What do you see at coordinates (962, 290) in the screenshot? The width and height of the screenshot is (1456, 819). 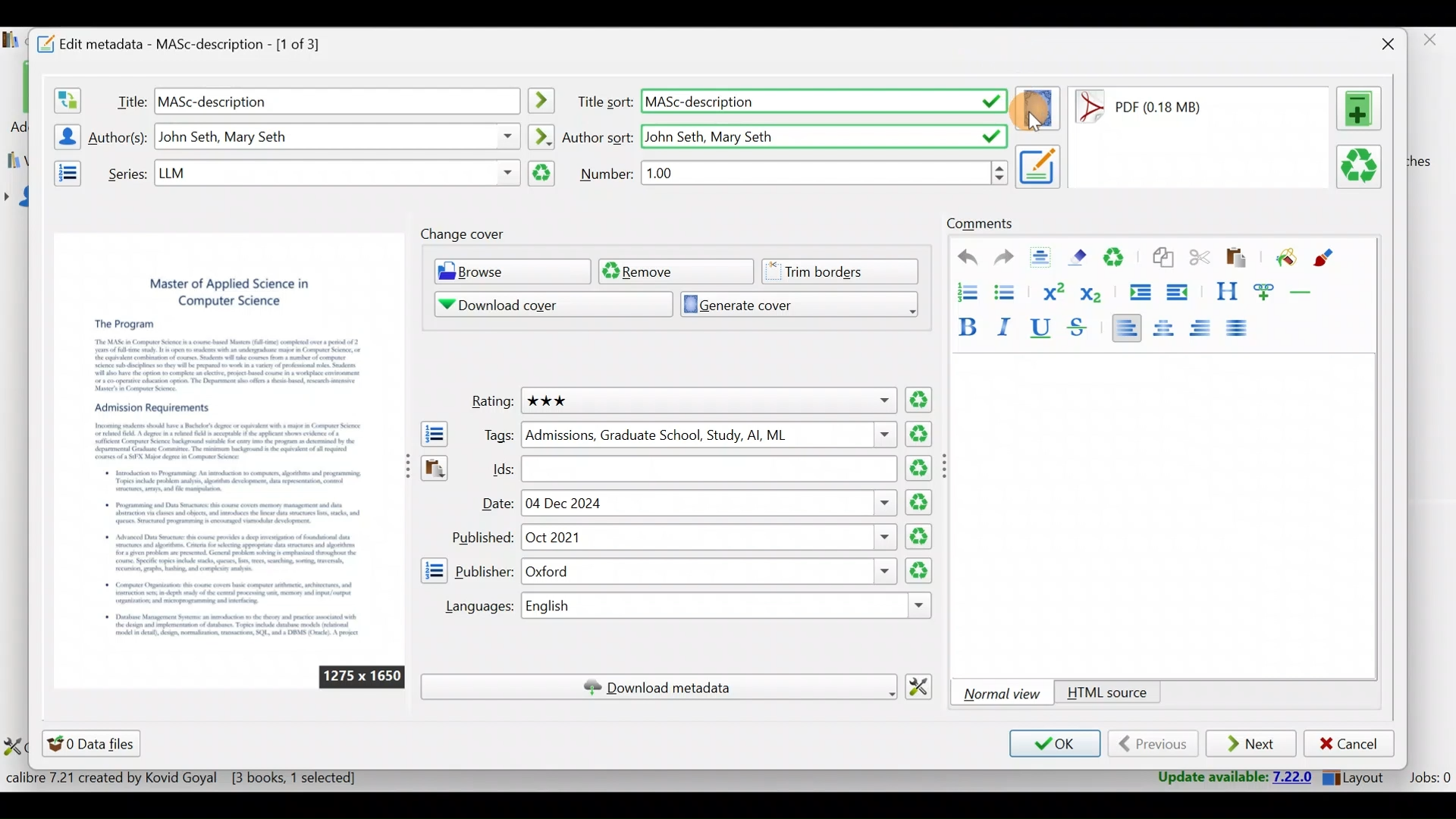 I see `Ordered list` at bounding box center [962, 290].